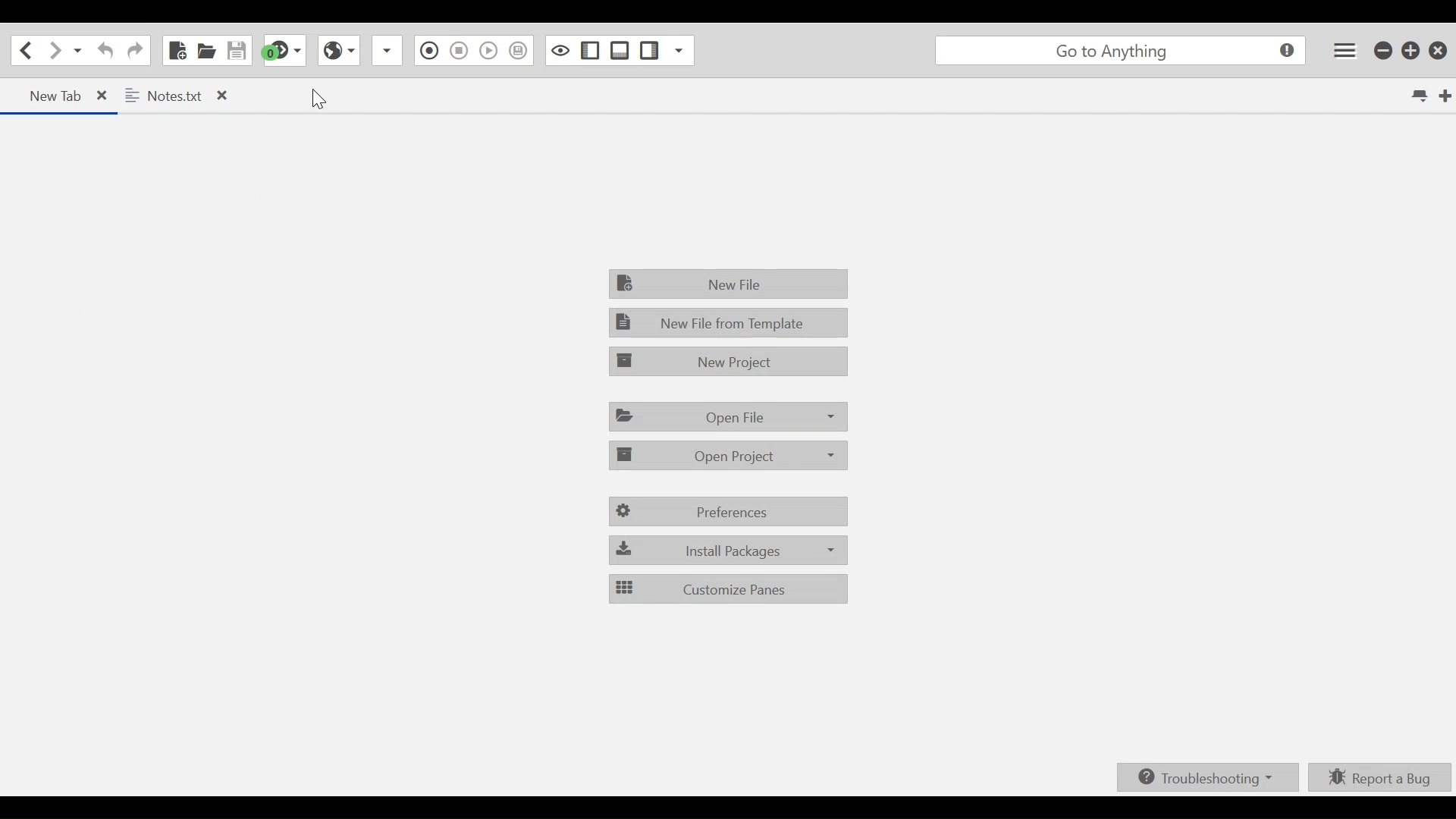  Describe the element at coordinates (678, 52) in the screenshot. I see `dropdown` at that location.